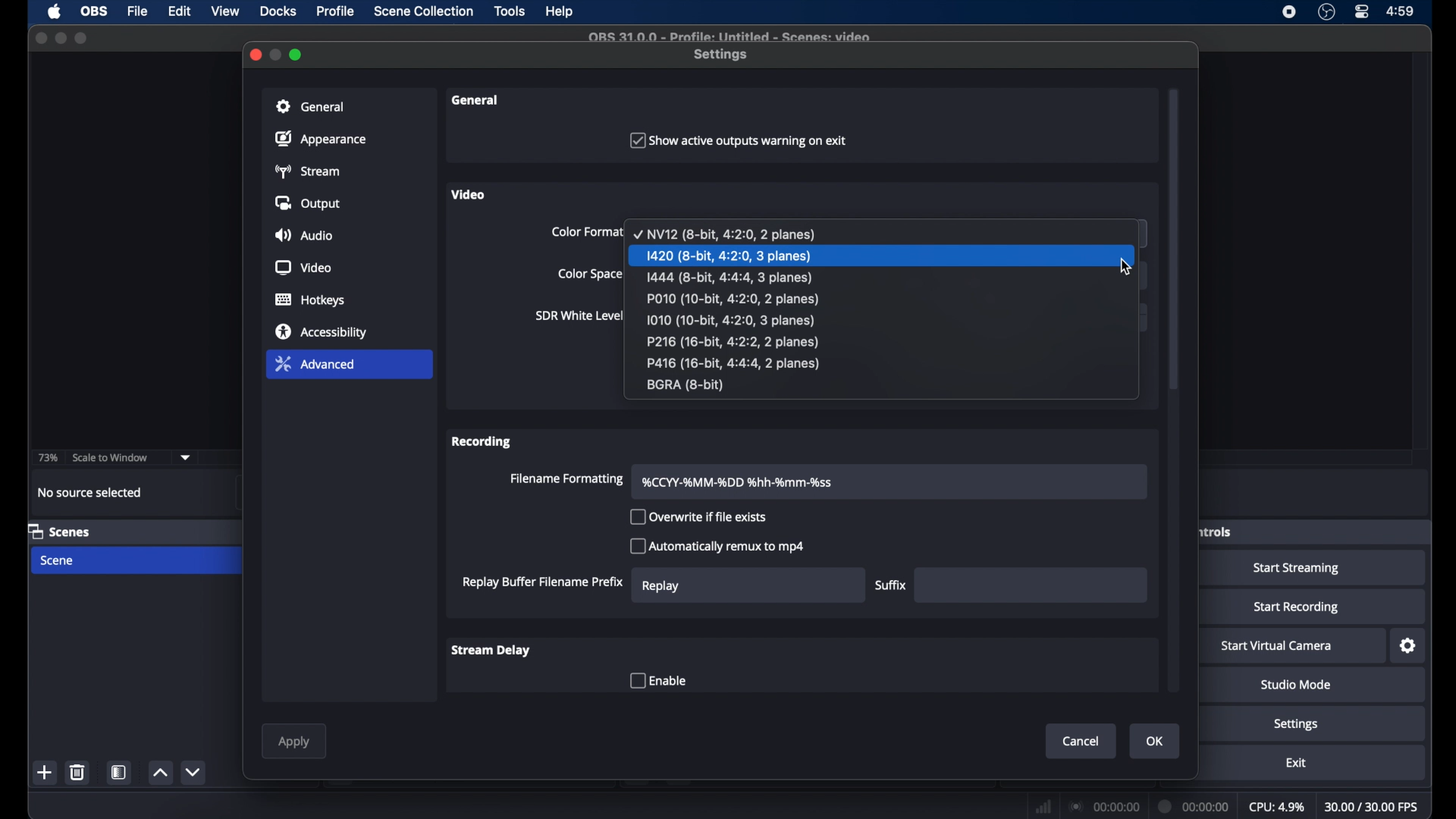 Image resolution: width=1456 pixels, height=819 pixels. Describe the element at coordinates (83, 38) in the screenshot. I see `maximize` at that location.